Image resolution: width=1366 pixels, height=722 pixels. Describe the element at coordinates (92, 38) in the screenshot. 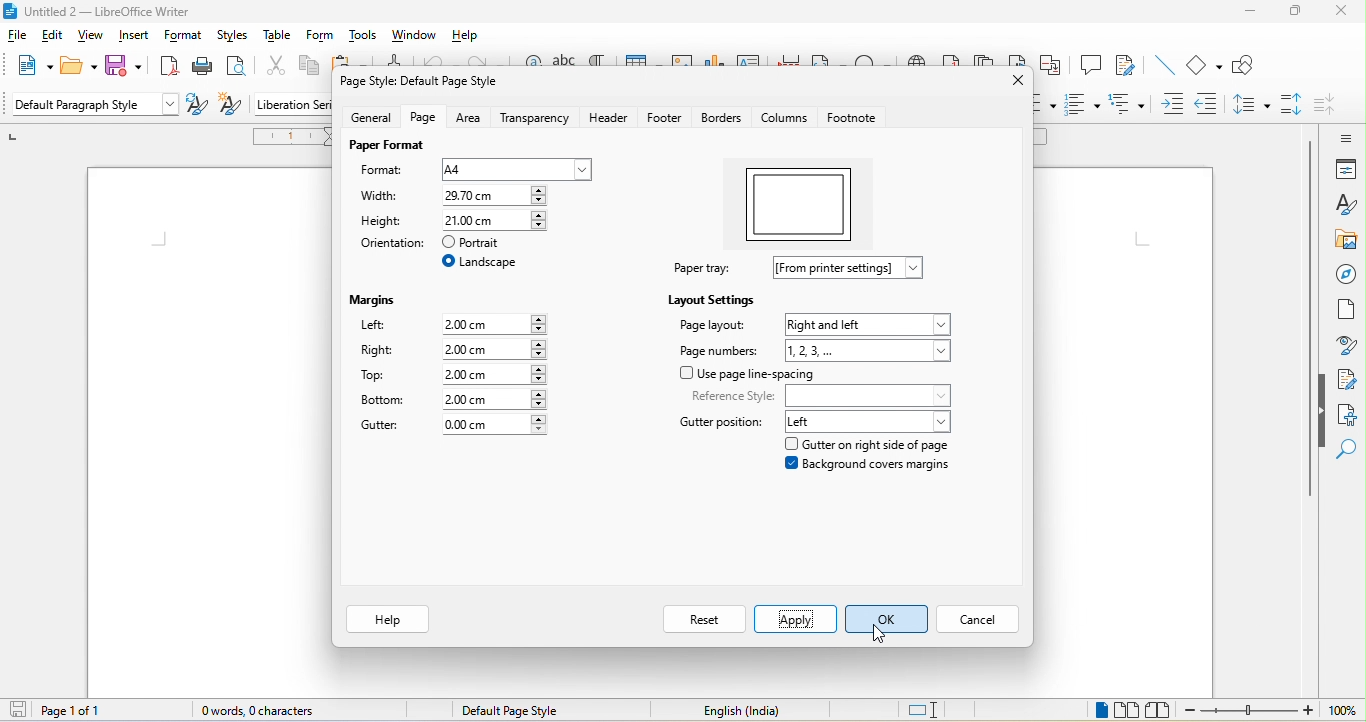

I see `view` at that location.